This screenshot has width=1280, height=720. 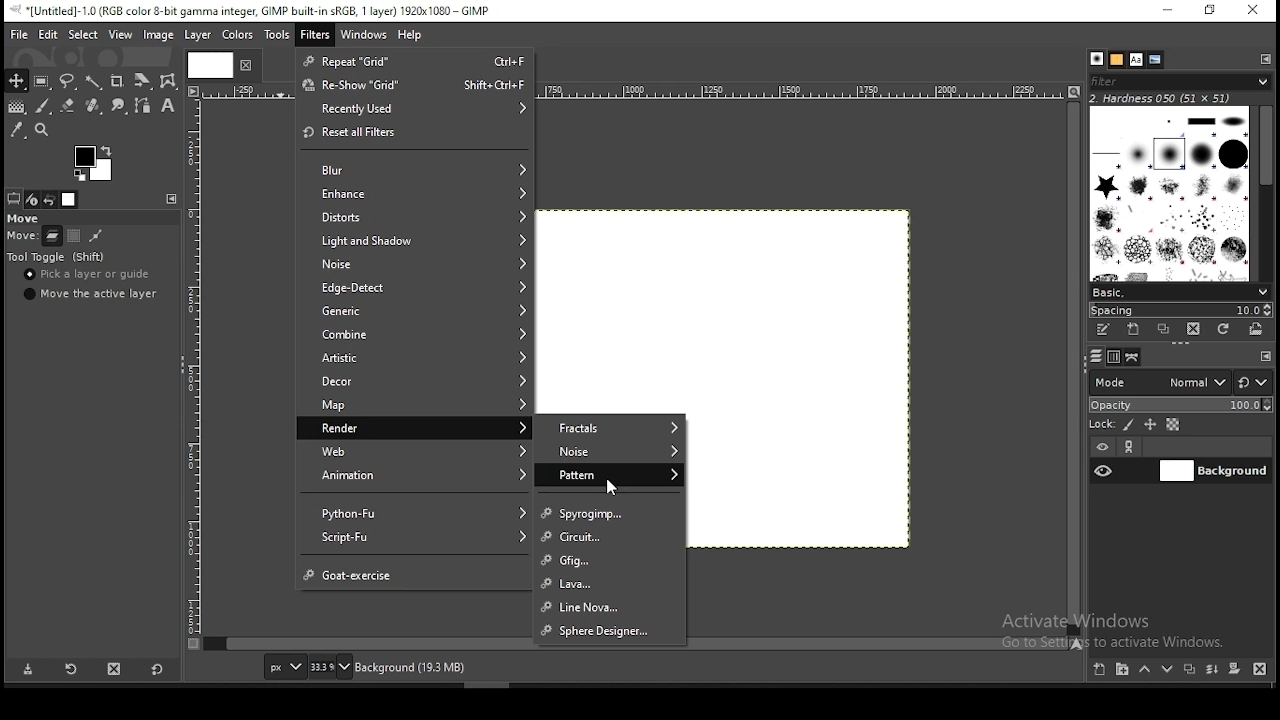 What do you see at coordinates (1180, 293) in the screenshot?
I see `brush presets` at bounding box center [1180, 293].